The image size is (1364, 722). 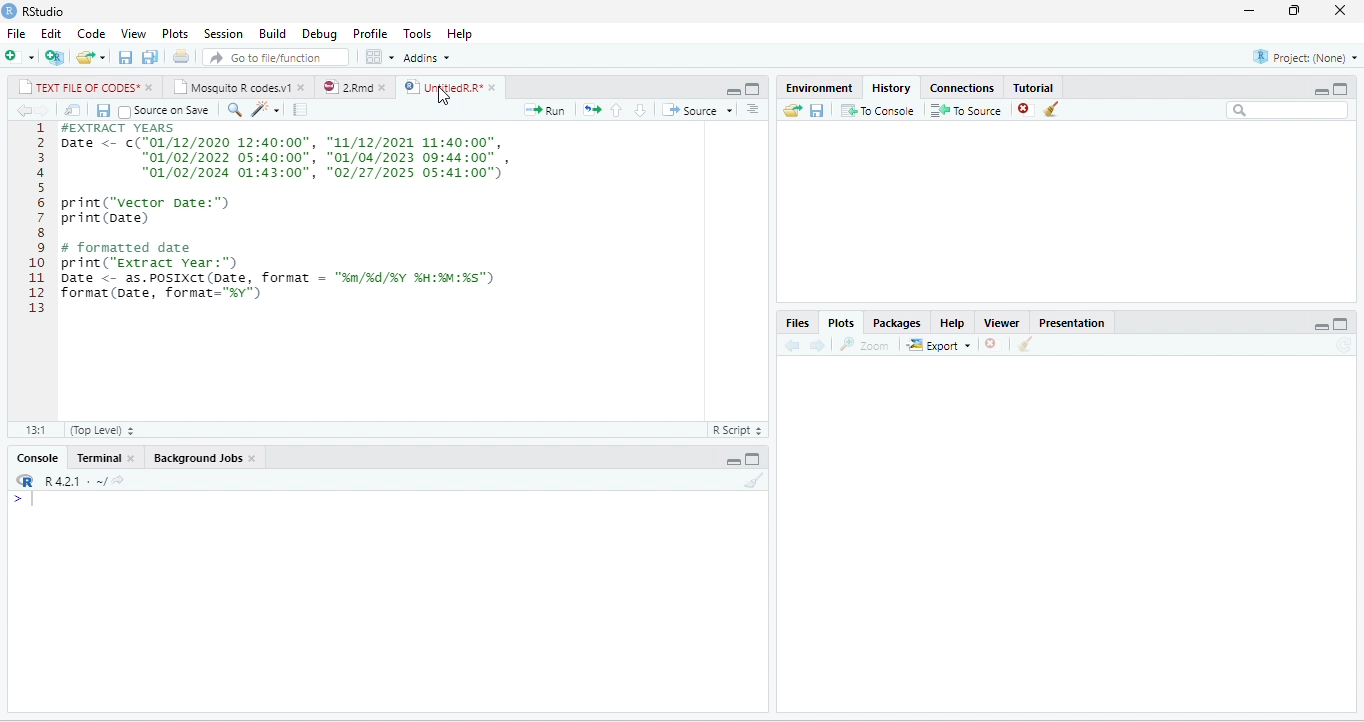 I want to click on >, so click(x=24, y=500).